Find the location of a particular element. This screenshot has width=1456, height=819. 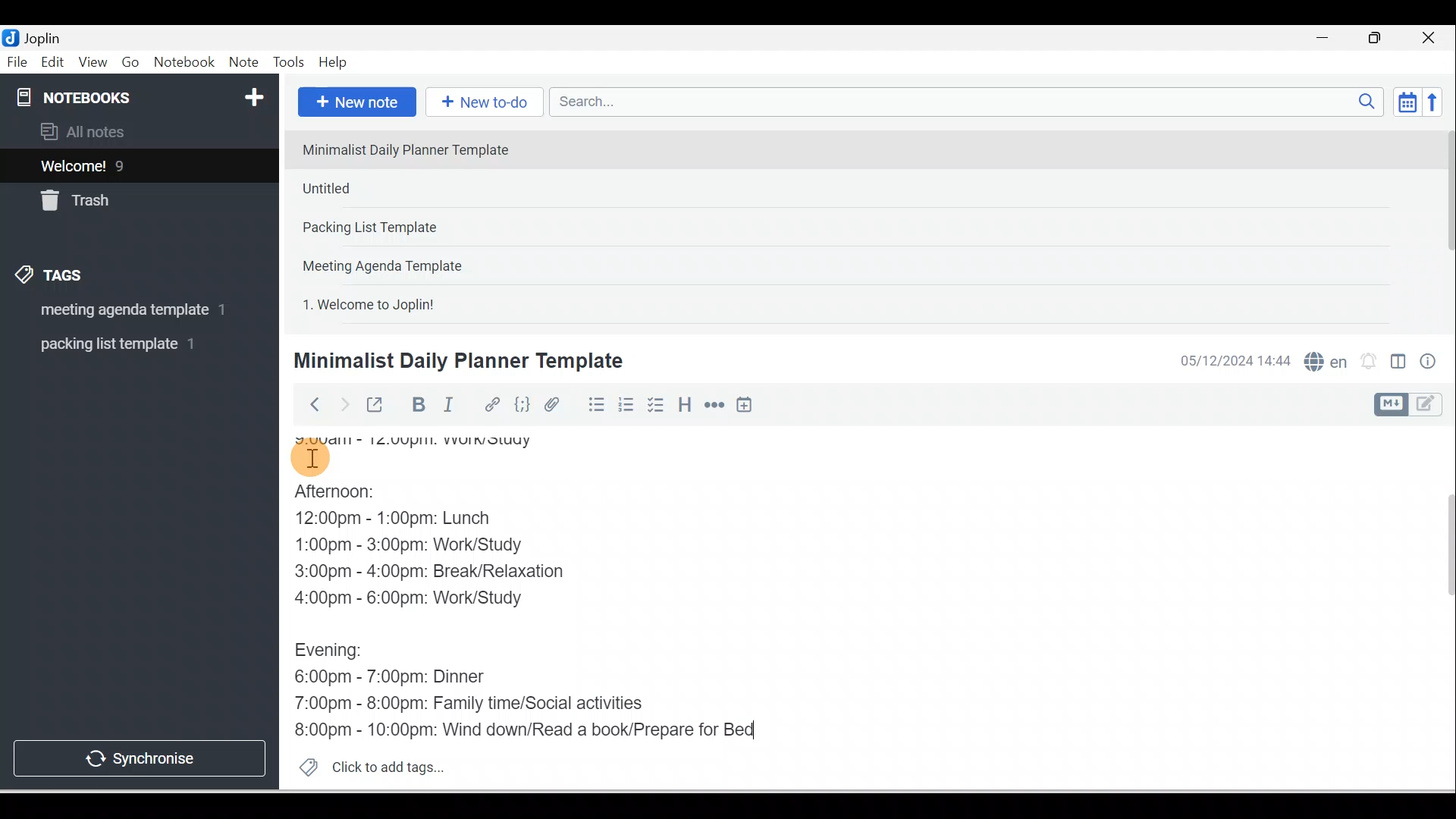

Horizontal rule is located at coordinates (716, 405).